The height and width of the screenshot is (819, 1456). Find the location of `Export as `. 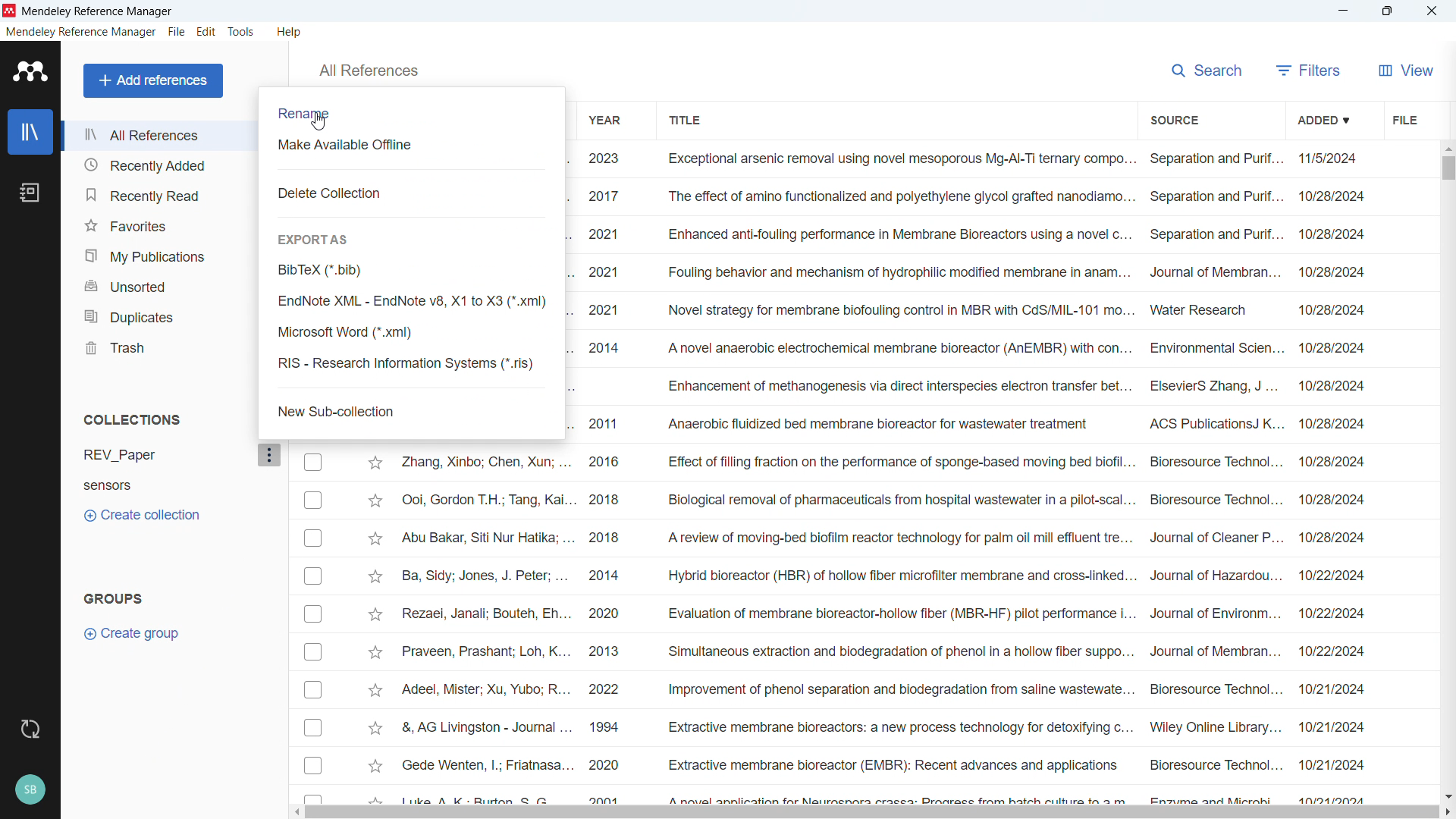

Export as  is located at coordinates (315, 239).